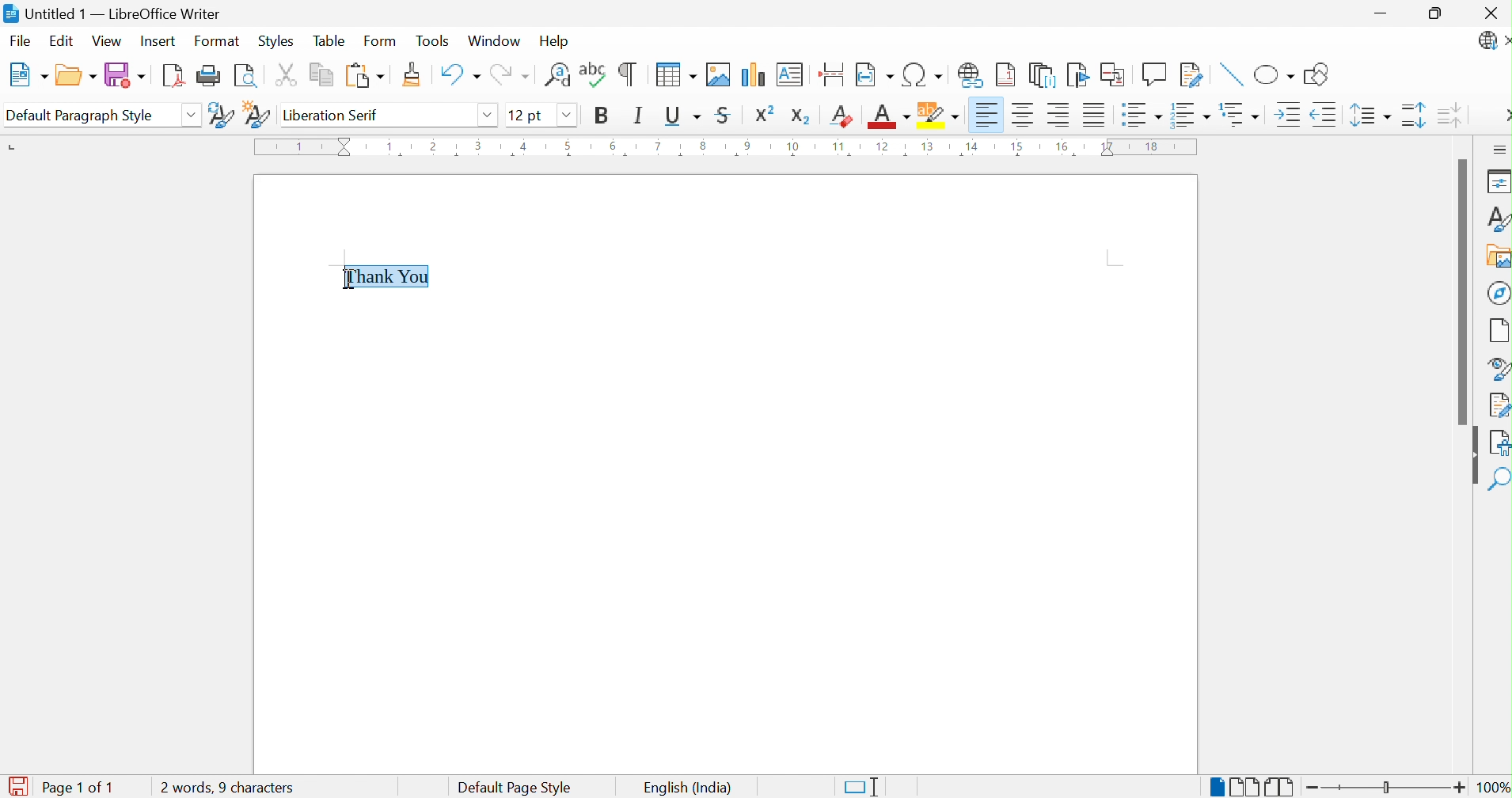  I want to click on Book View, so click(1281, 785).